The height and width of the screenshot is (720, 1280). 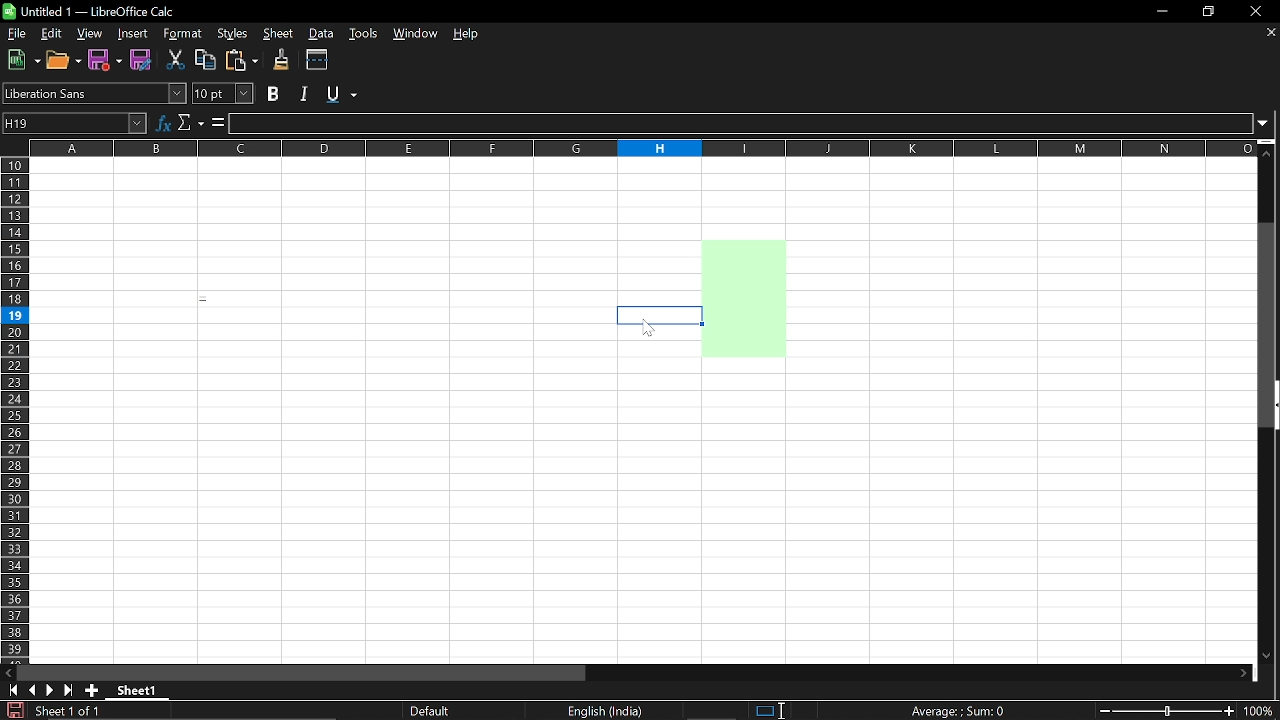 I want to click on Add sheet, so click(x=93, y=691).